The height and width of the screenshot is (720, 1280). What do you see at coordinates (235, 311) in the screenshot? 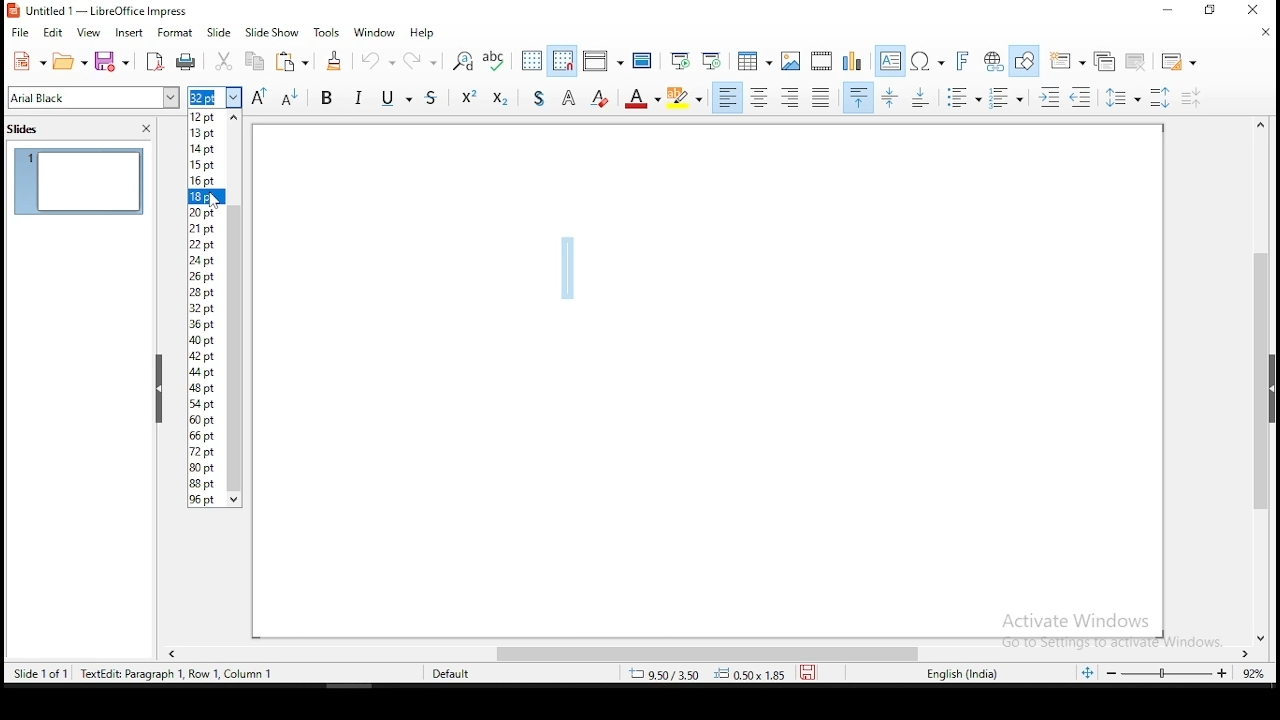
I see `text box` at bounding box center [235, 311].